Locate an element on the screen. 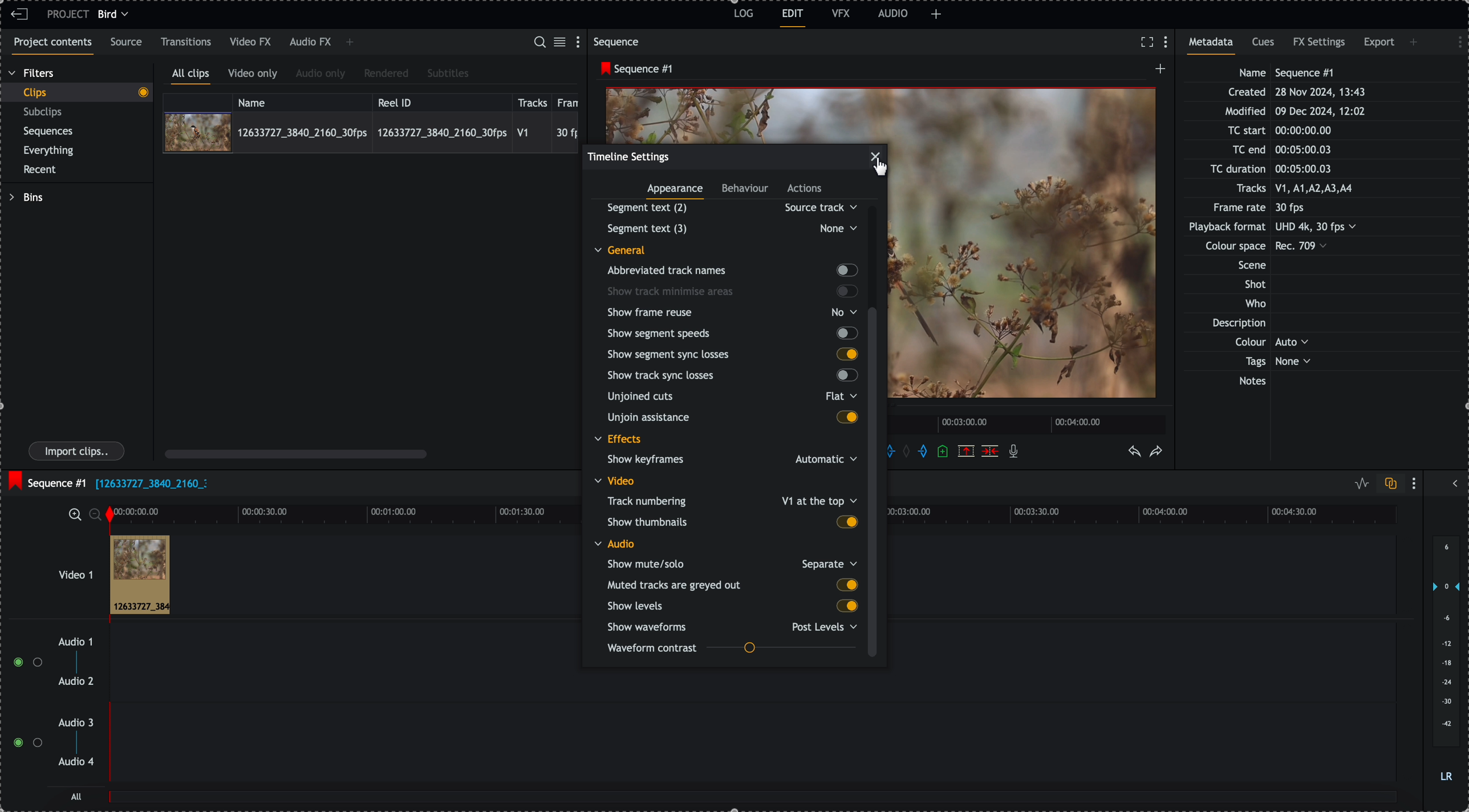 This screenshot has height=812, width=1469. subclips is located at coordinates (45, 112).